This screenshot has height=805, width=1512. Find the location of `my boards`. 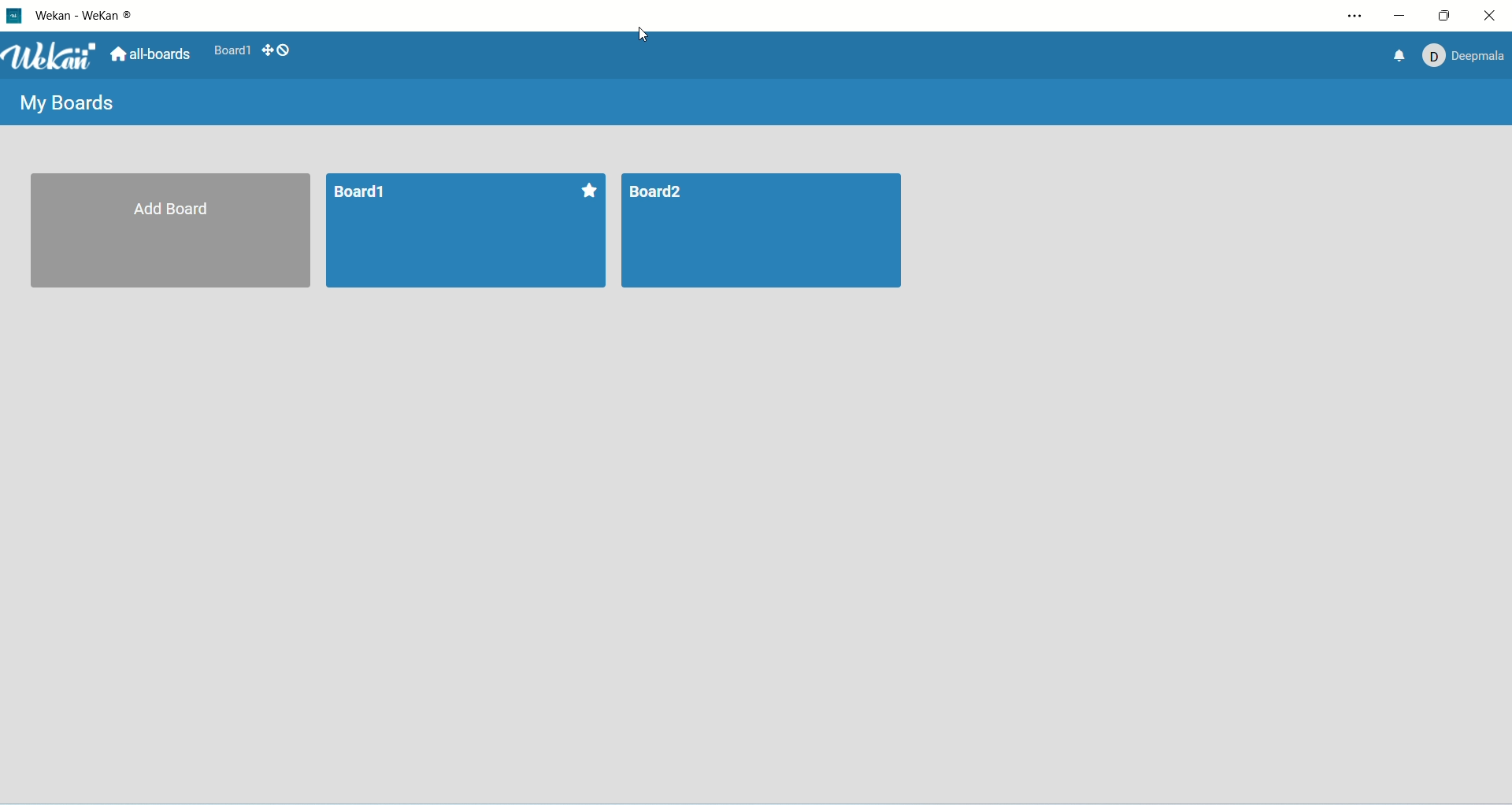

my boards is located at coordinates (64, 102).